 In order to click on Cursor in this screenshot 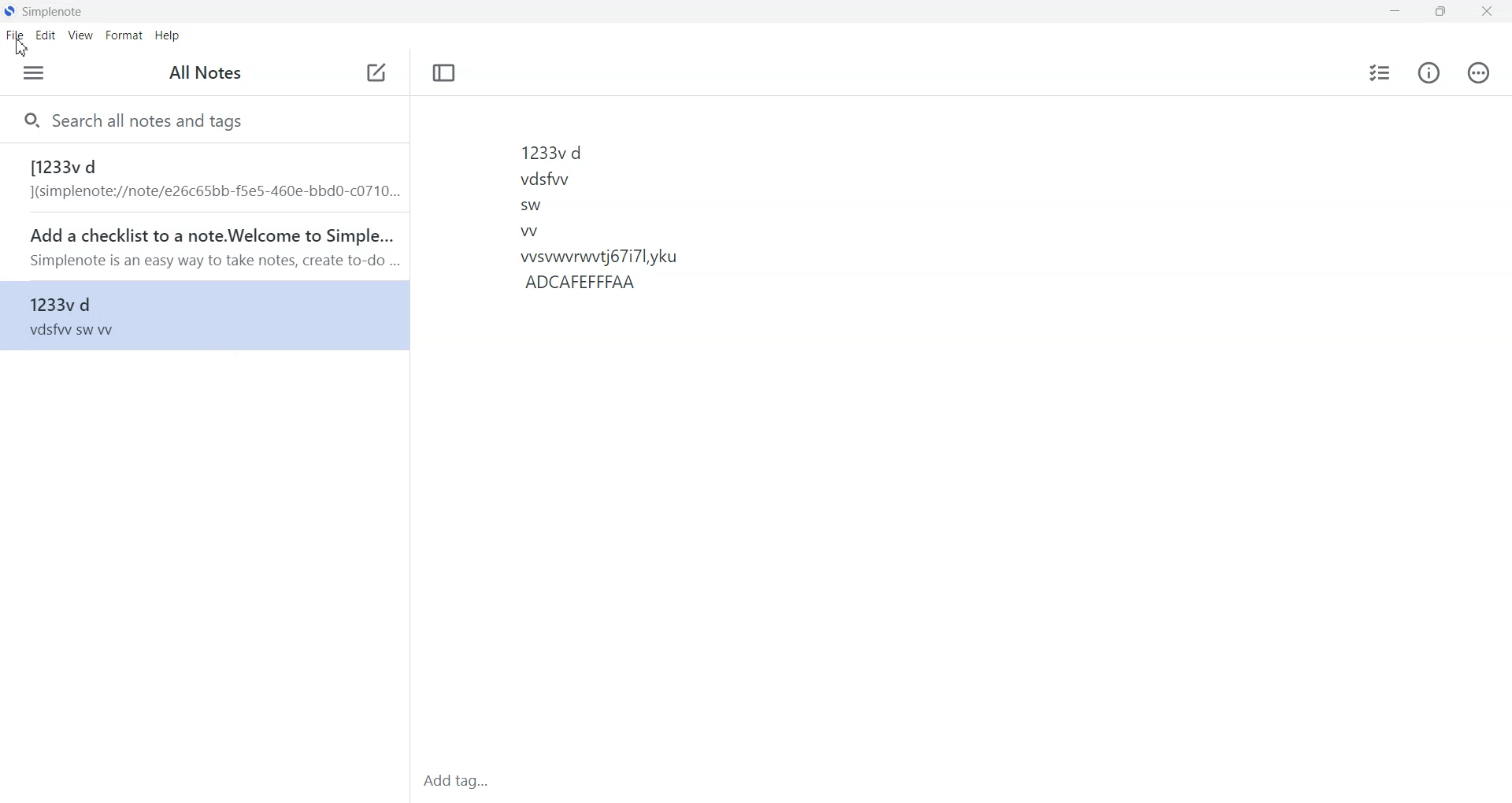, I will do `click(22, 48)`.